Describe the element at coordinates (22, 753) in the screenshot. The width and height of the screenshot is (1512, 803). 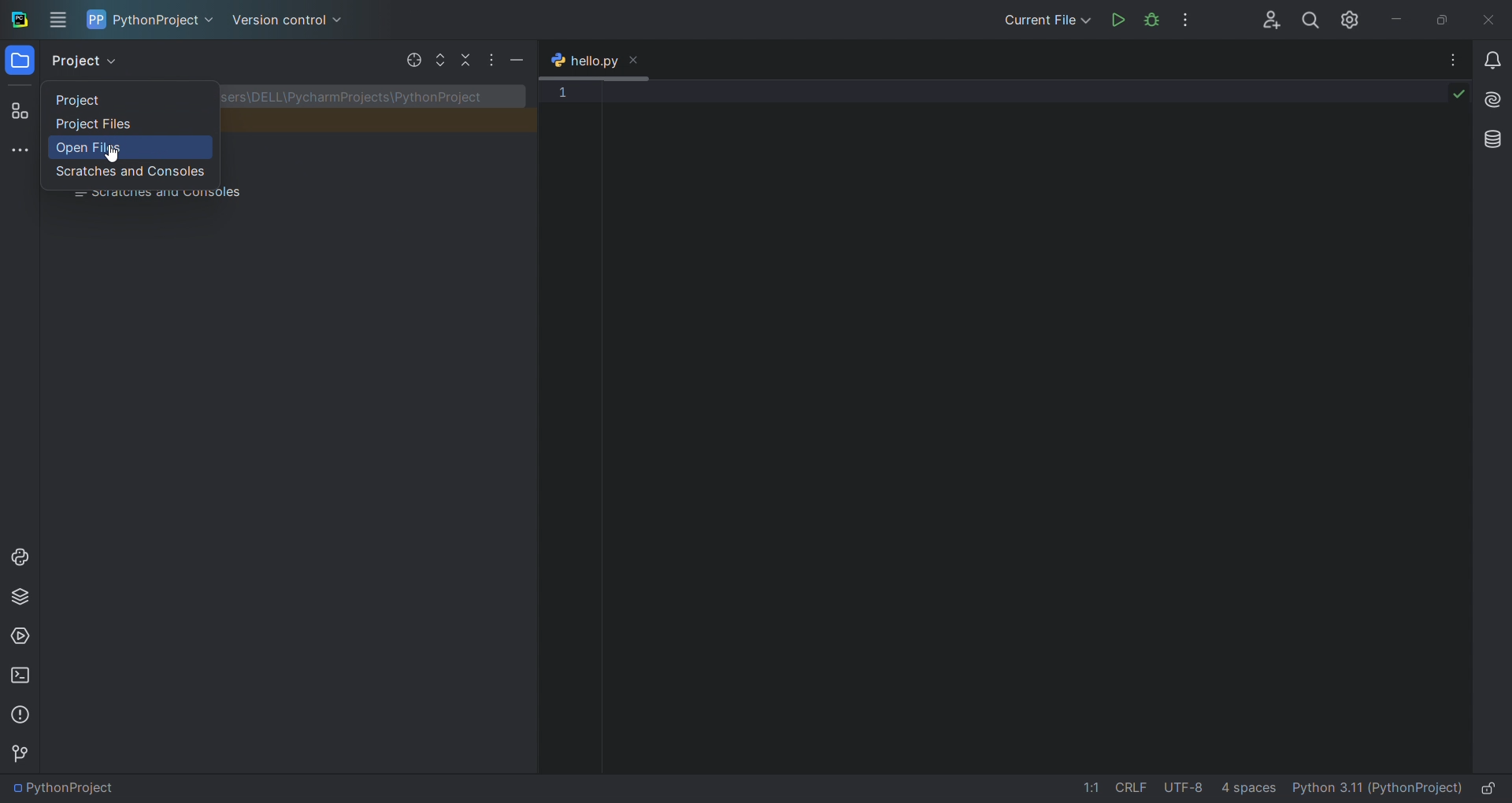
I see `version control` at that location.